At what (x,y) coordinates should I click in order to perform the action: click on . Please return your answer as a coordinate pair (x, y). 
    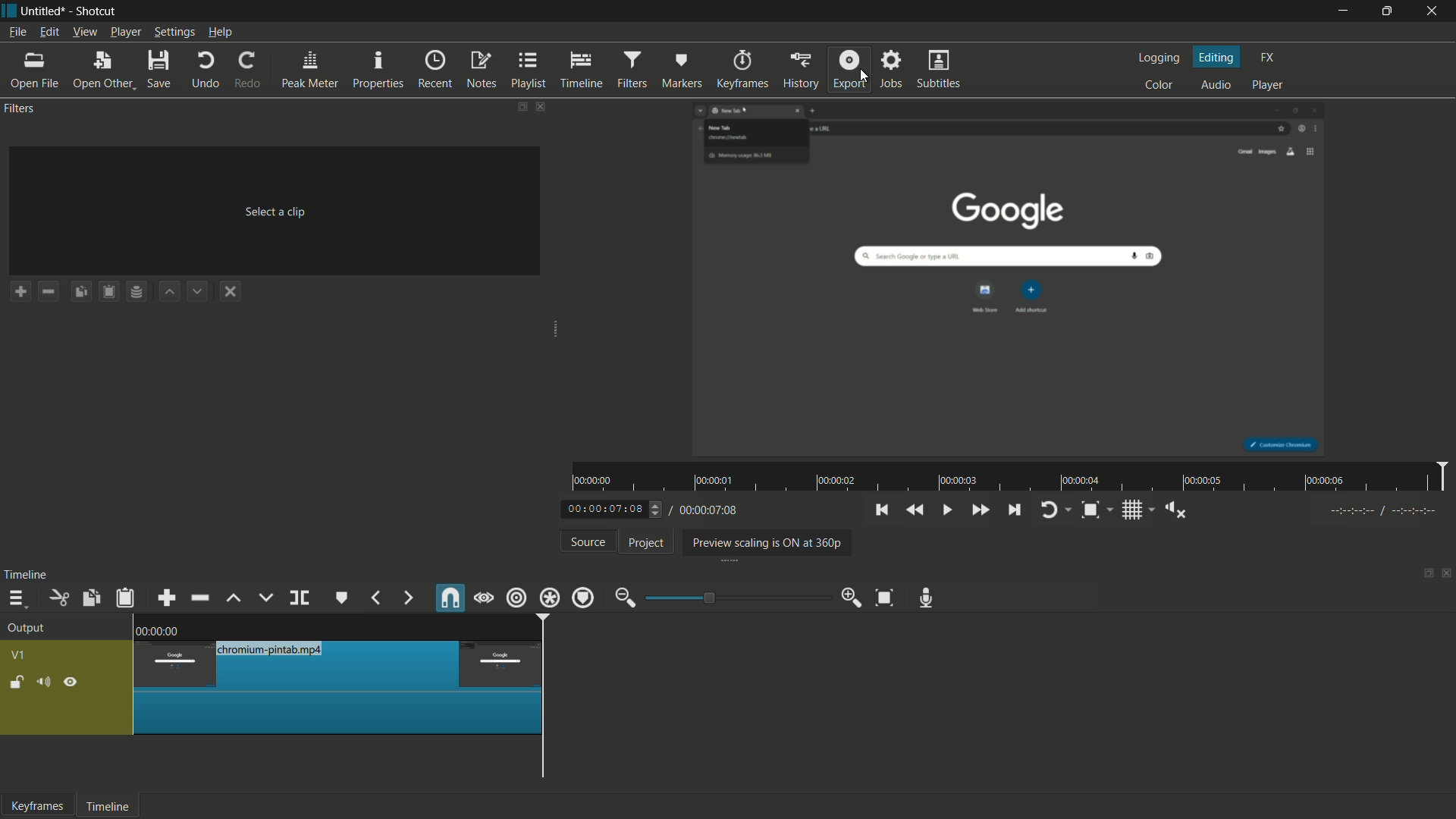
    Looking at the image, I should click on (1267, 55).